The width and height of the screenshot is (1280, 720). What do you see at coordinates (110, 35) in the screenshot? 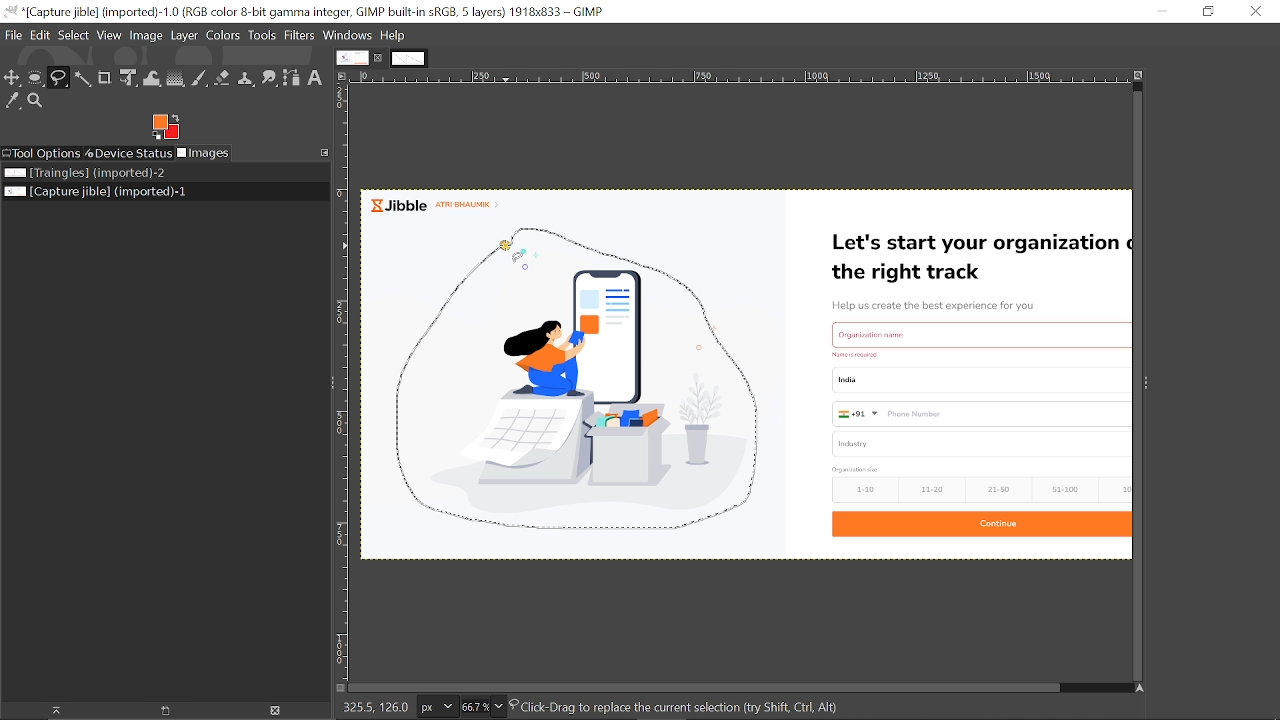
I see `View` at bounding box center [110, 35].